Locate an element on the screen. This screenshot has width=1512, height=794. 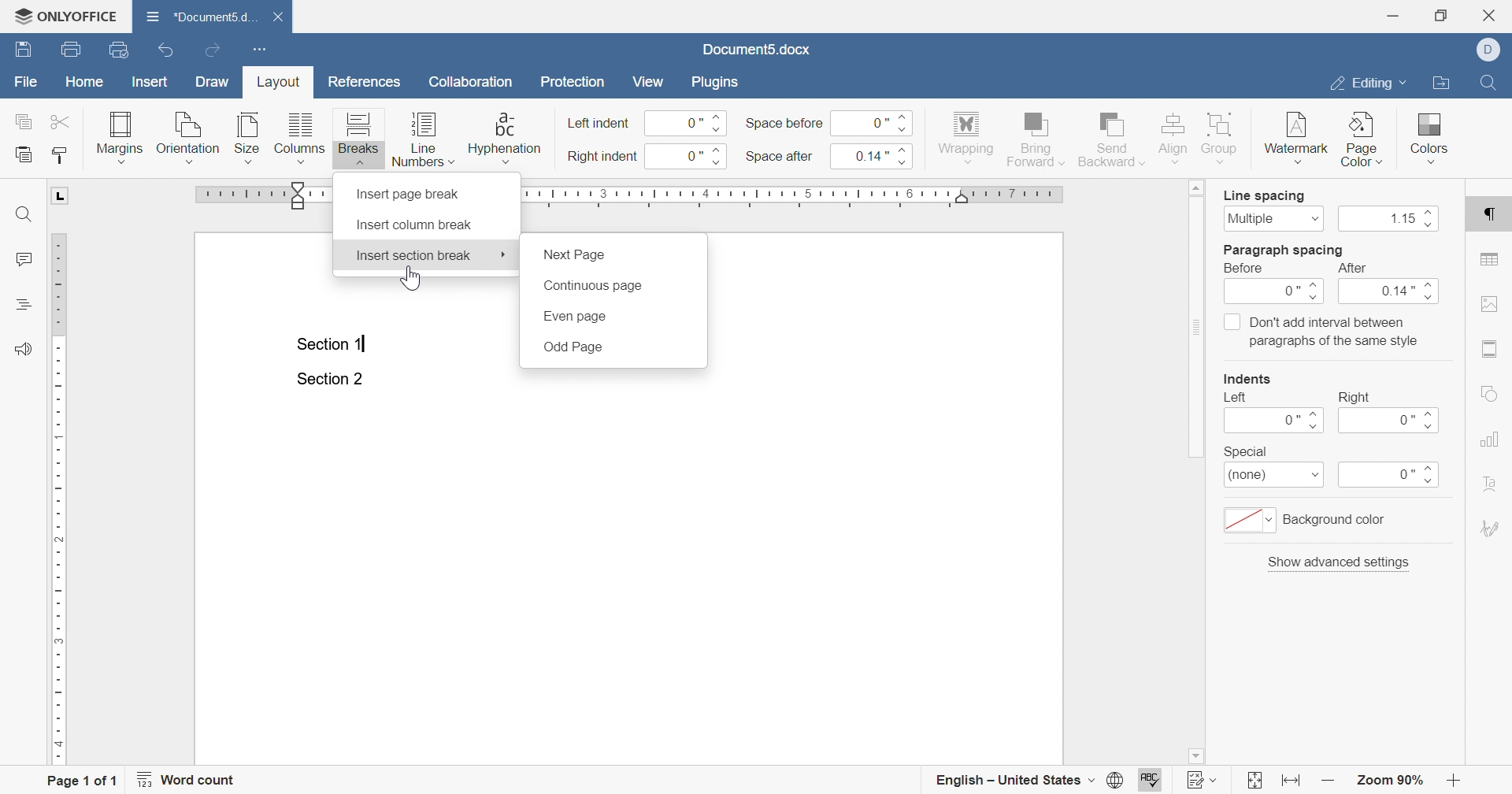
close is located at coordinates (1492, 15).